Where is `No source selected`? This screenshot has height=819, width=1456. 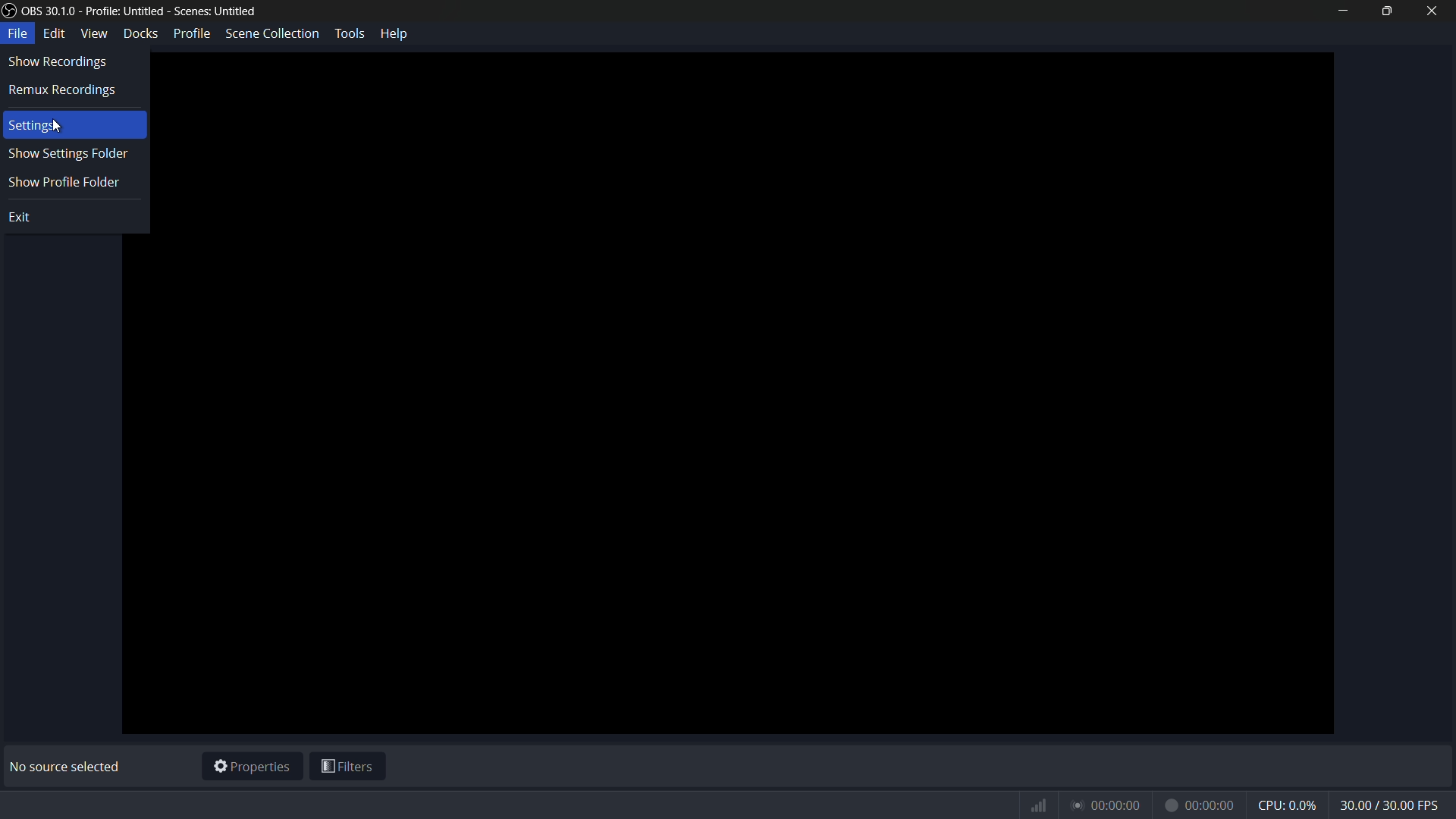 No source selected is located at coordinates (69, 767).